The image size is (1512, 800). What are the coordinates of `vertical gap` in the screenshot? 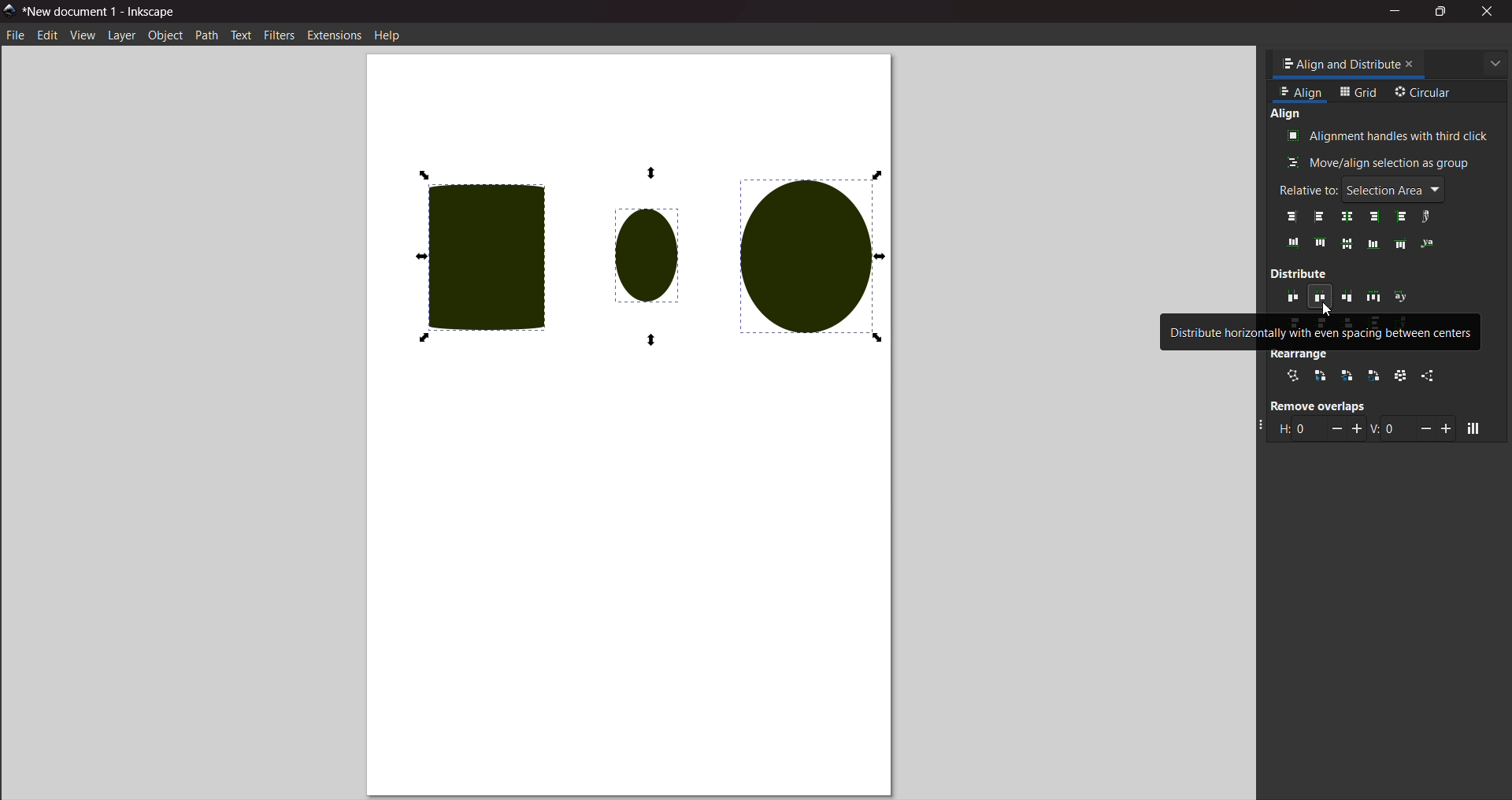 It's located at (1413, 428).